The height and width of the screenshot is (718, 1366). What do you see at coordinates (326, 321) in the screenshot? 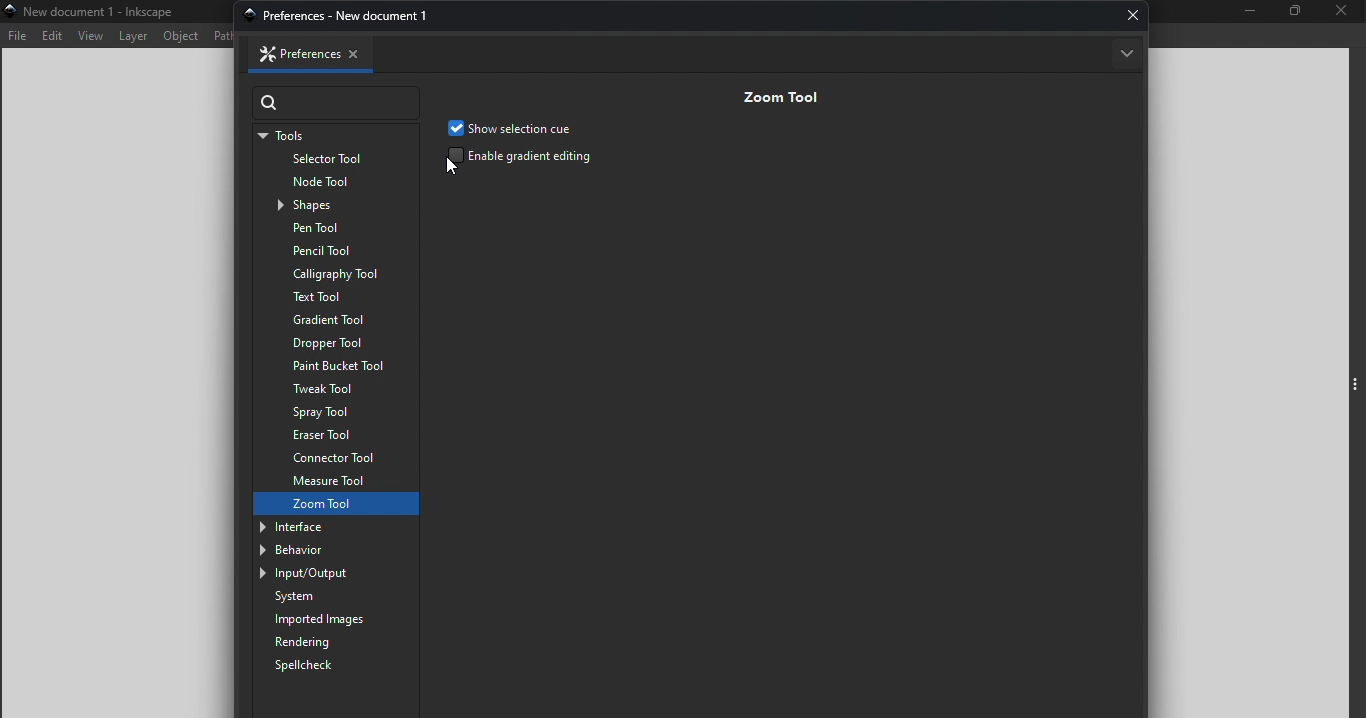
I see `Gradient tool` at bounding box center [326, 321].